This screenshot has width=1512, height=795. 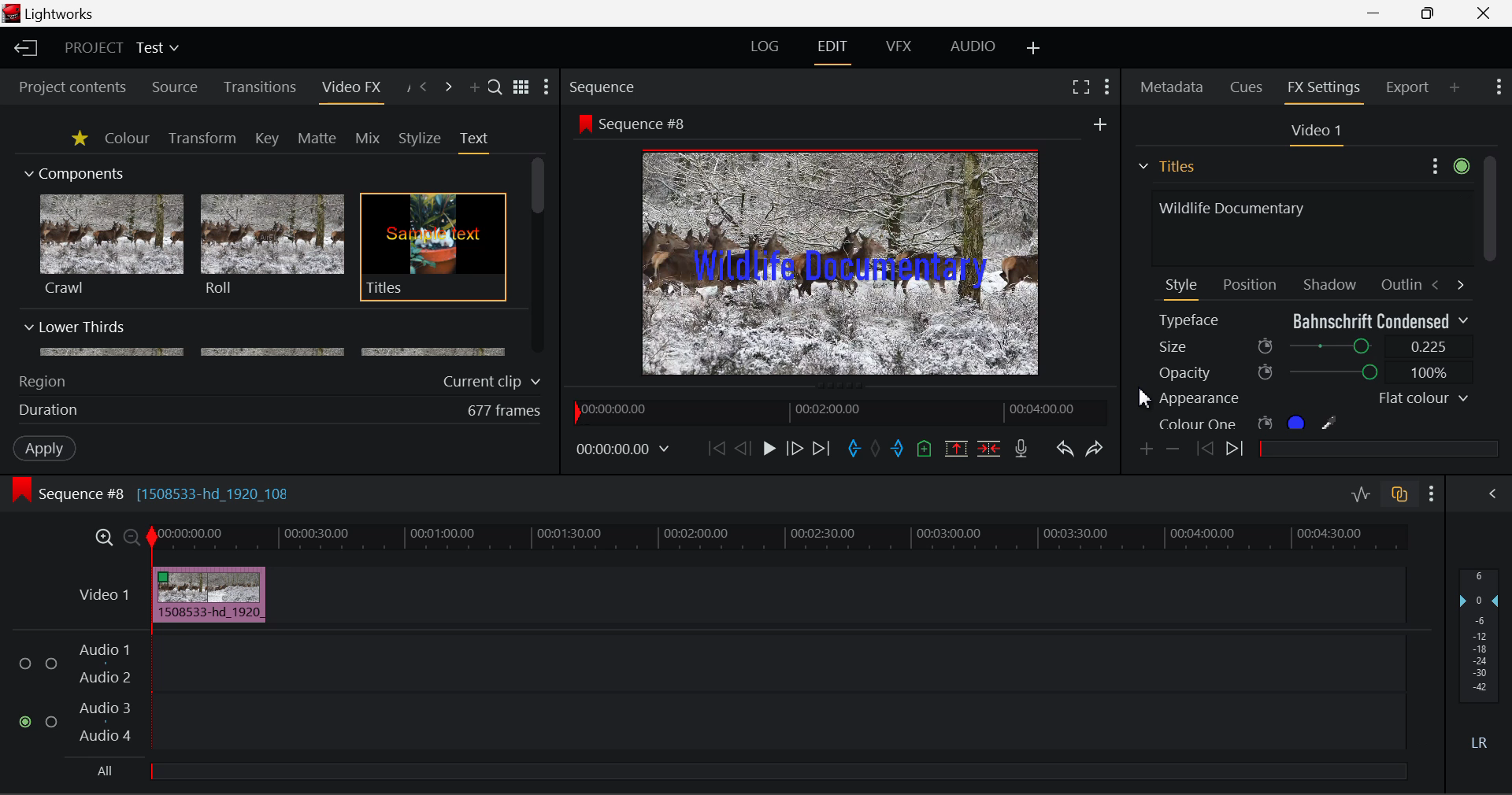 What do you see at coordinates (175, 89) in the screenshot?
I see `Source` at bounding box center [175, 89].